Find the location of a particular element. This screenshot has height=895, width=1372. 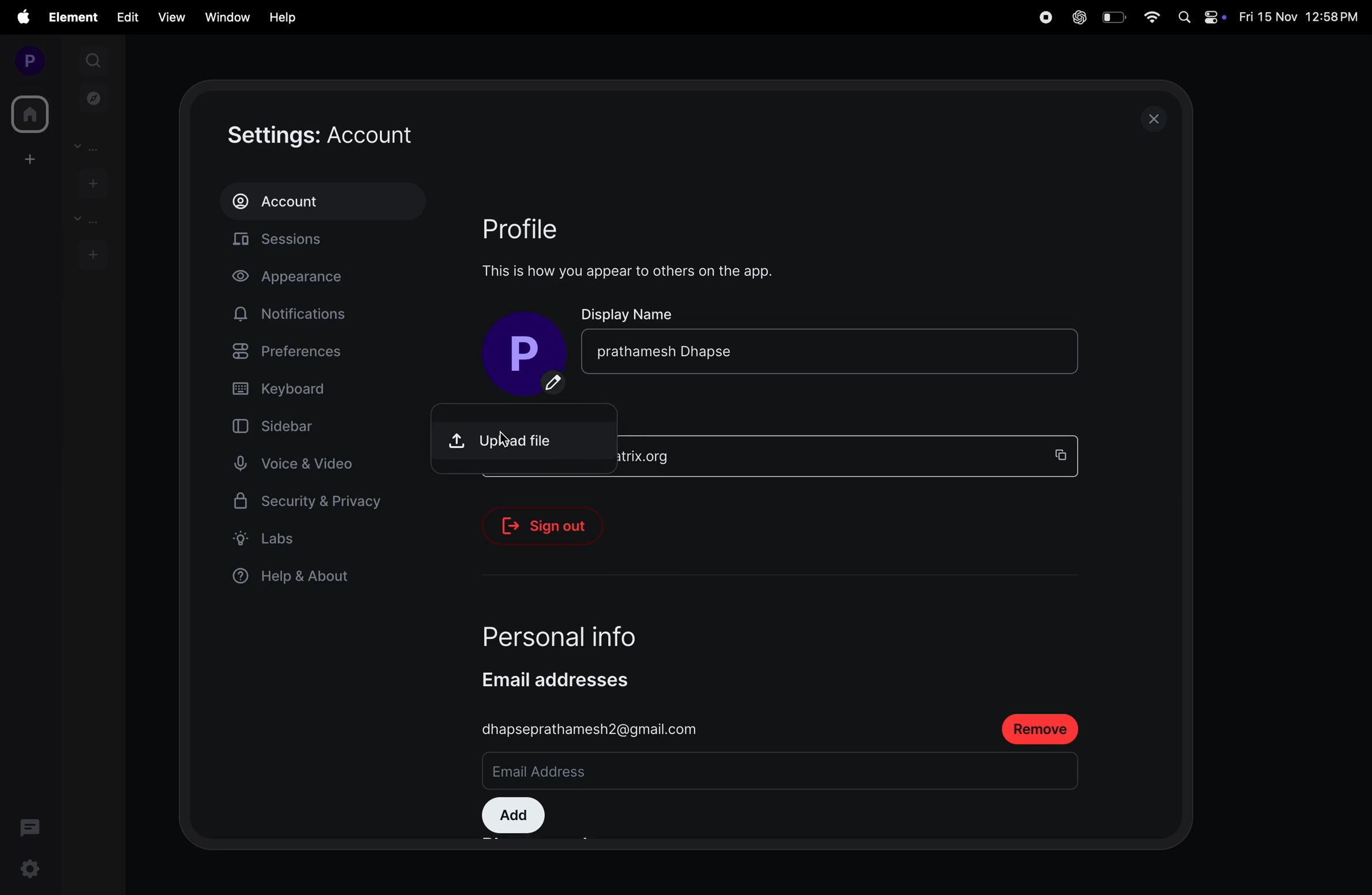

profle is located at coordinates (537, 227).